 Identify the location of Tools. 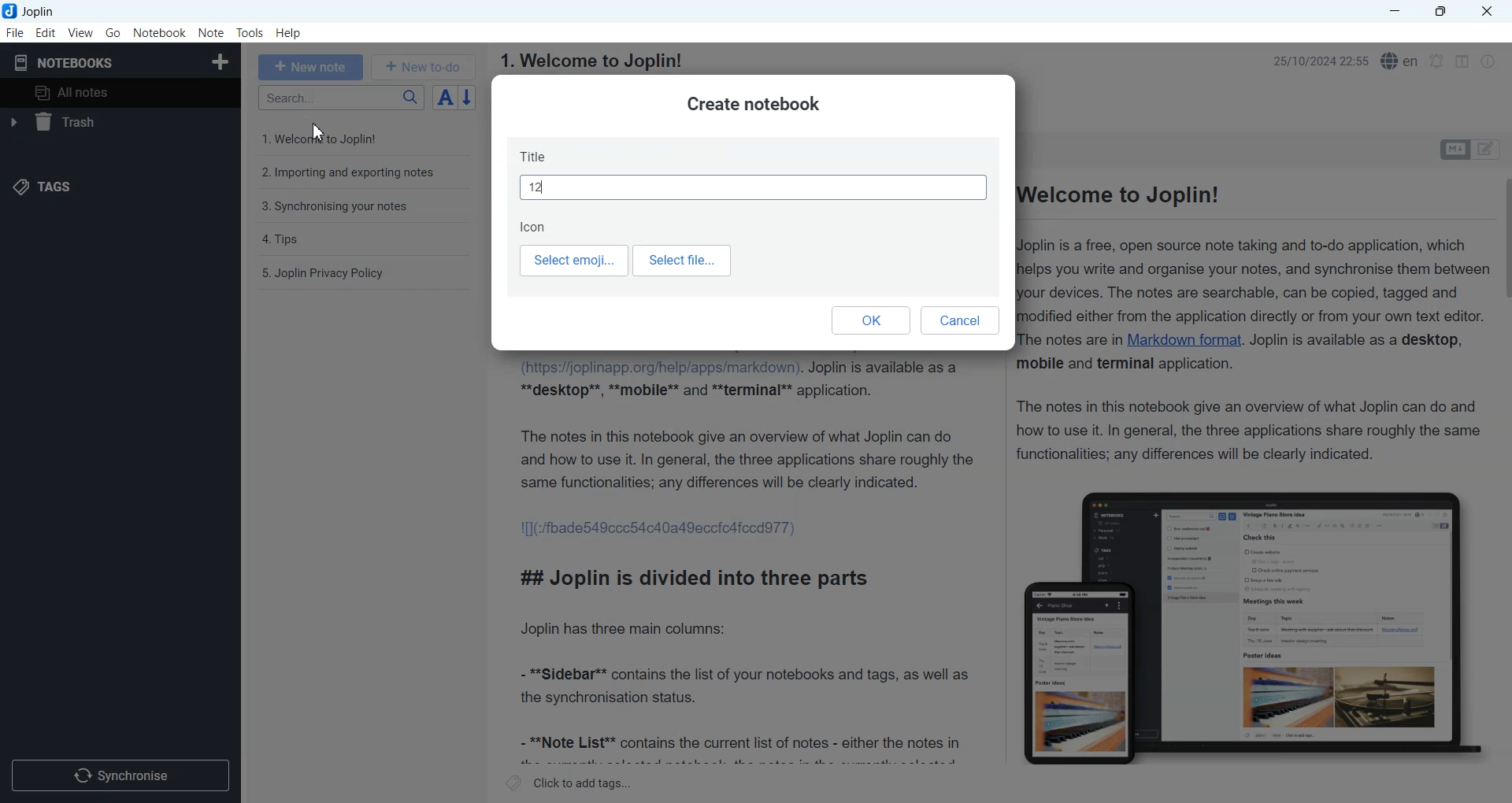
(250, 33).